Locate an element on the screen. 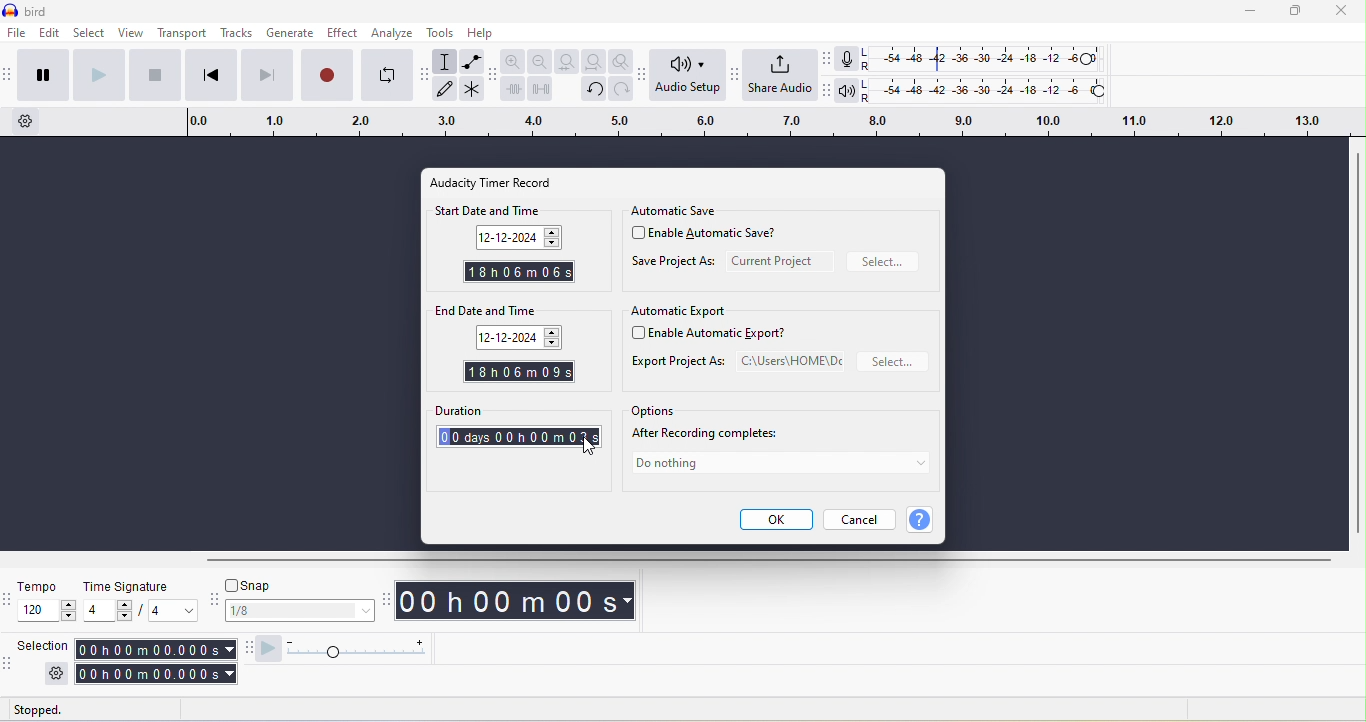 The height and width of the screenshot is (722, 1366). value is located at coordinates (108, 613).